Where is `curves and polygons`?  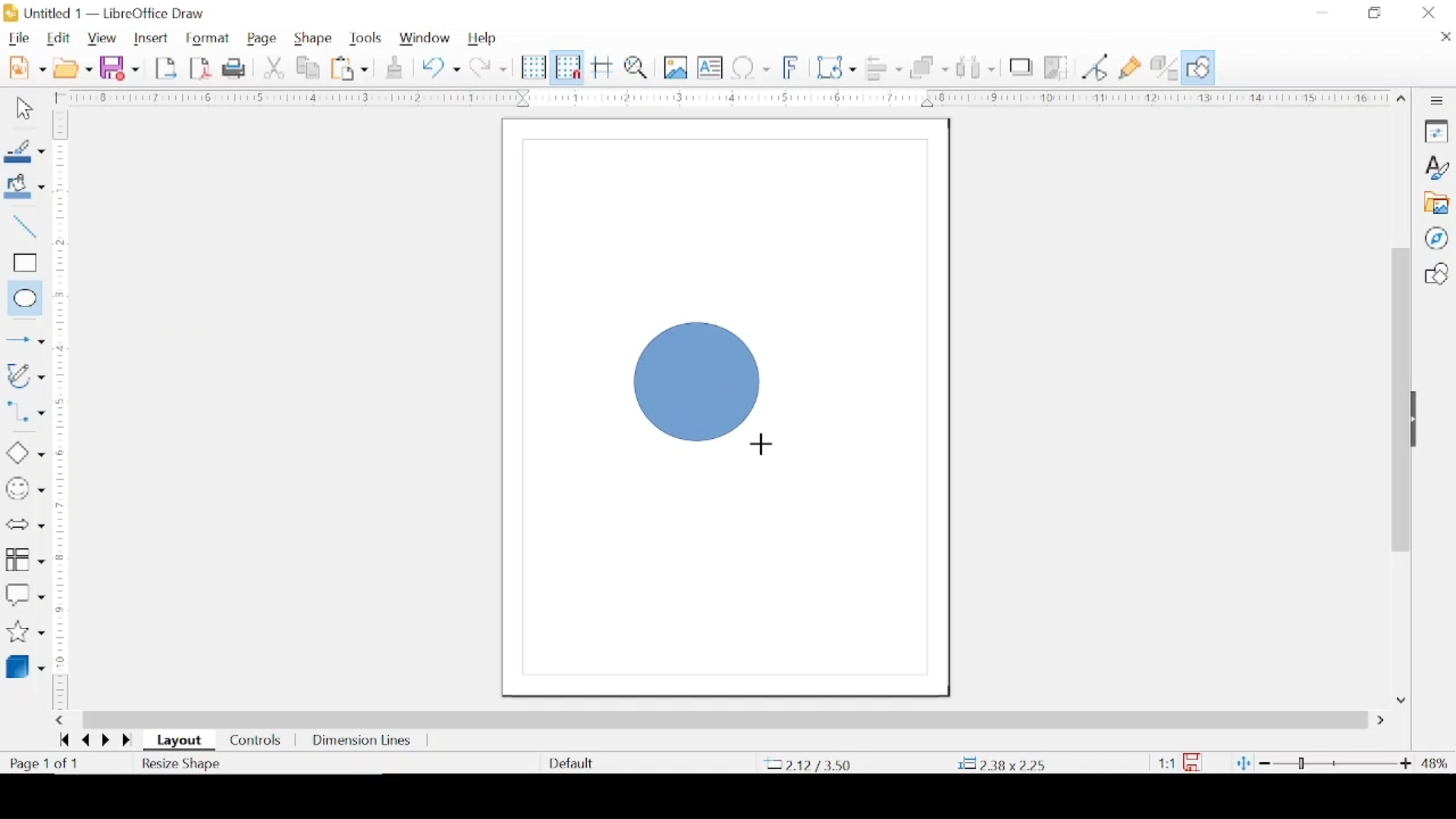
curves and polygons is located at coordinates (25, 375).